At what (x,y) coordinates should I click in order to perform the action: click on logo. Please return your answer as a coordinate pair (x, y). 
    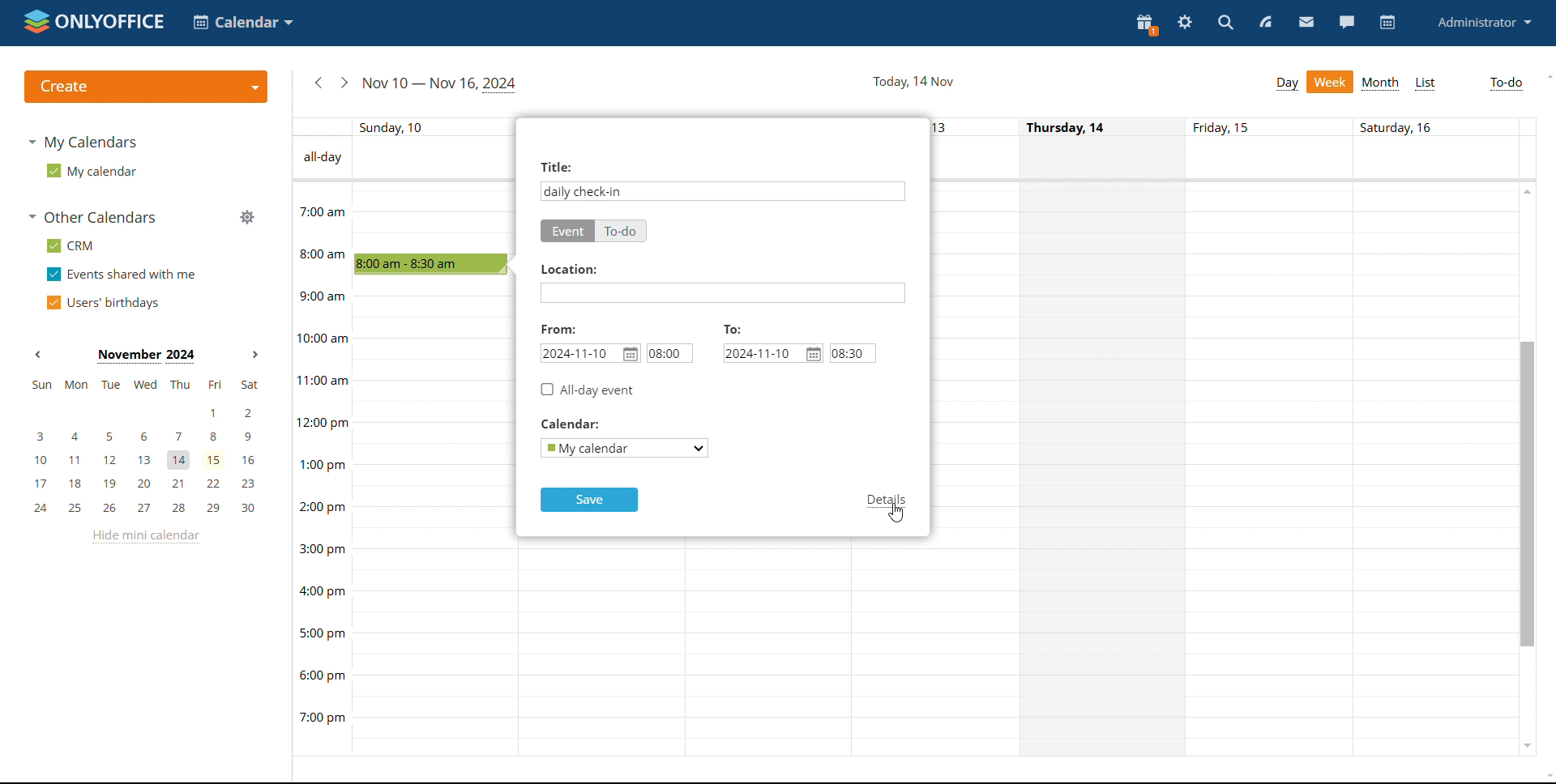
    Looking at the image, I should click on (94, 21).